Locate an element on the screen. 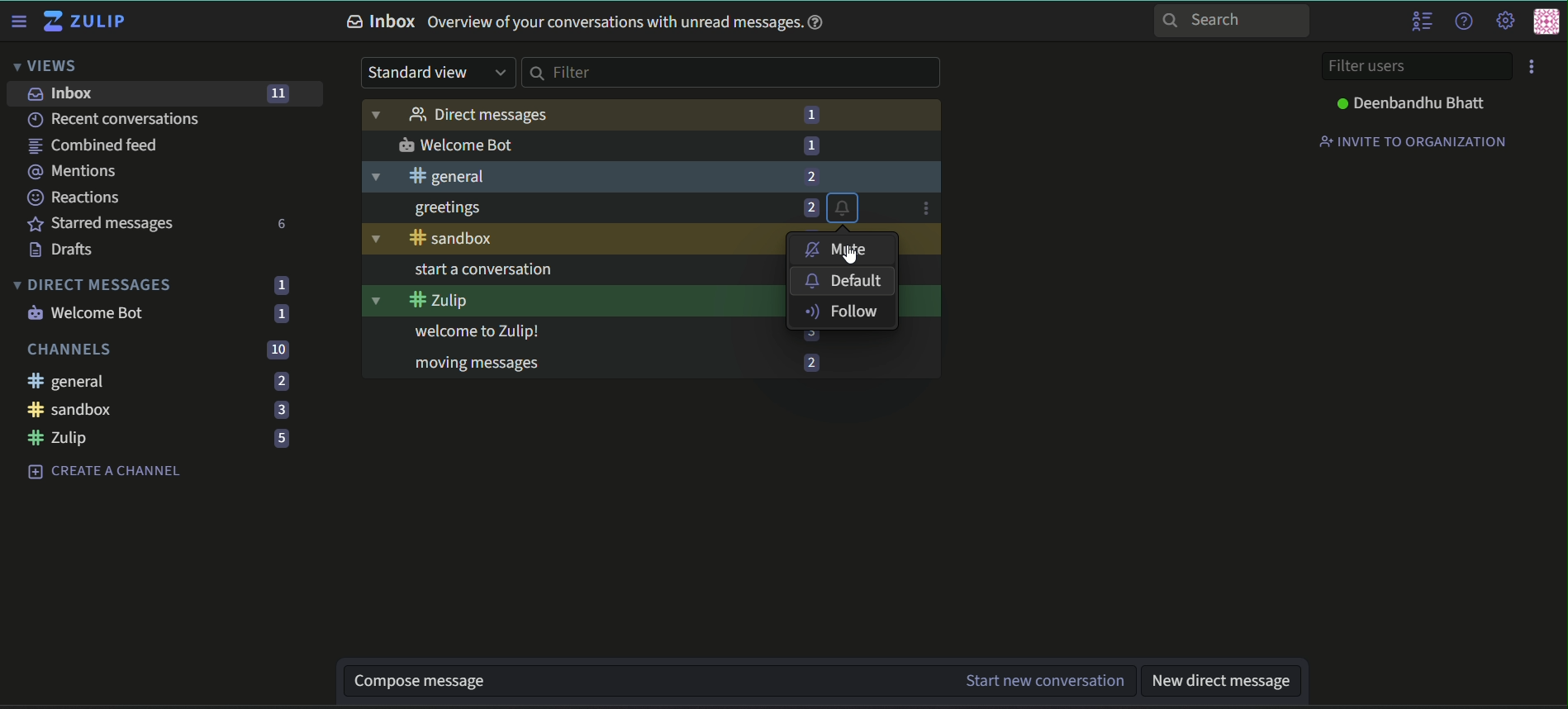  Numbers is located at coordinates (277, 381).